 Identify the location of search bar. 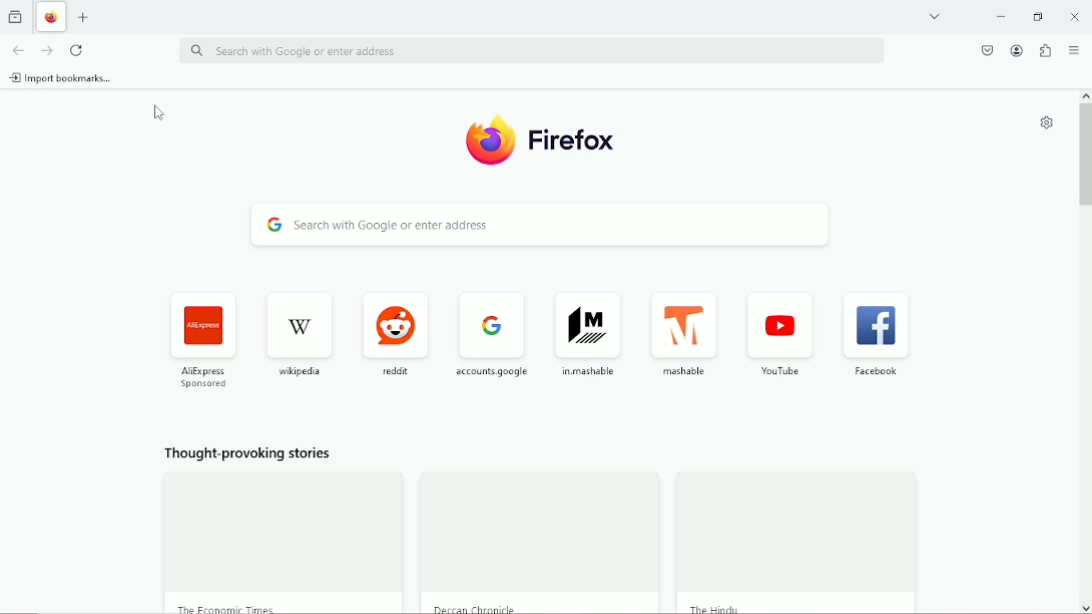
(535, 225).